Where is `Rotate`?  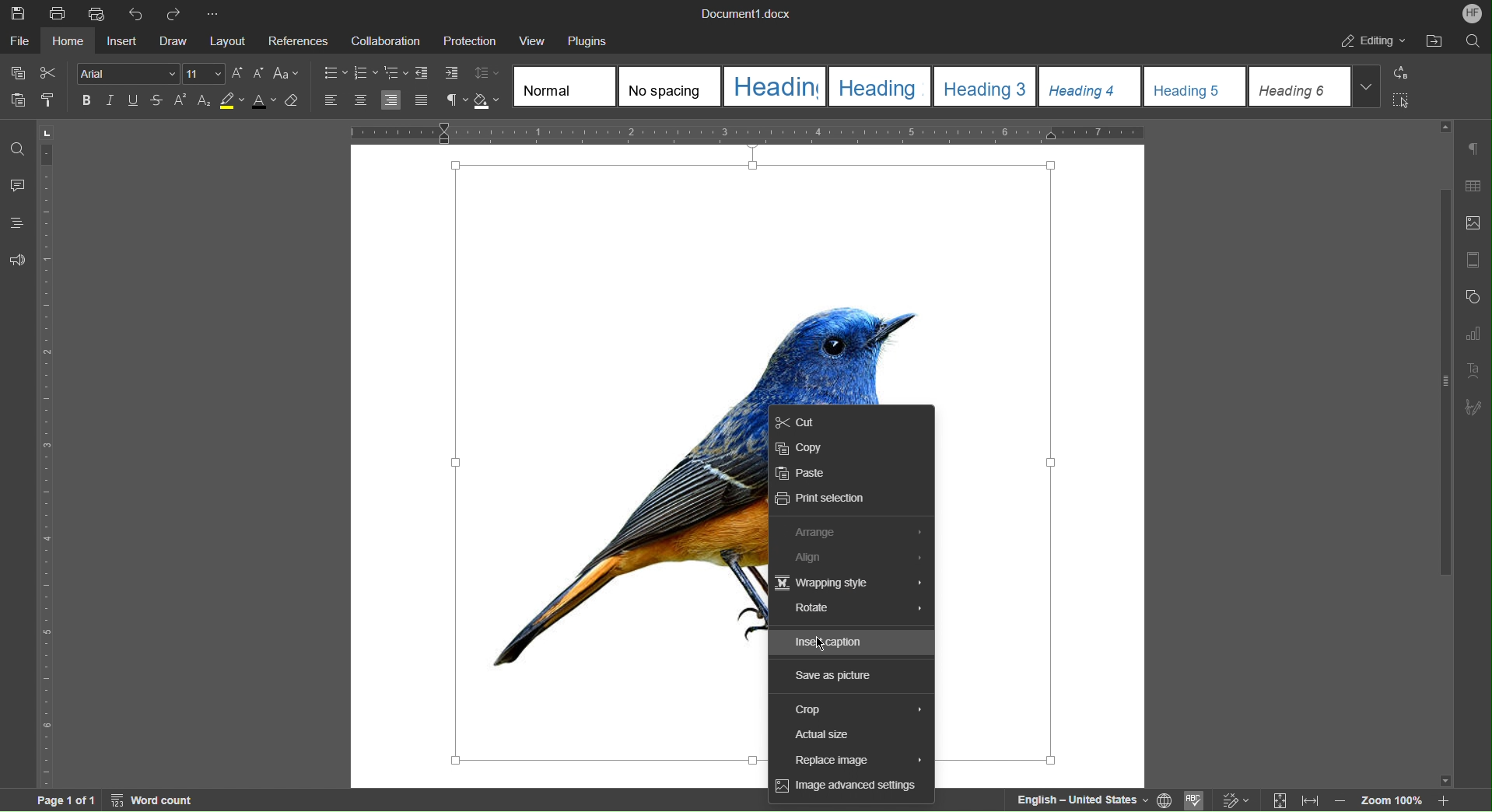
Rotate is located at coordinates (849, 608).